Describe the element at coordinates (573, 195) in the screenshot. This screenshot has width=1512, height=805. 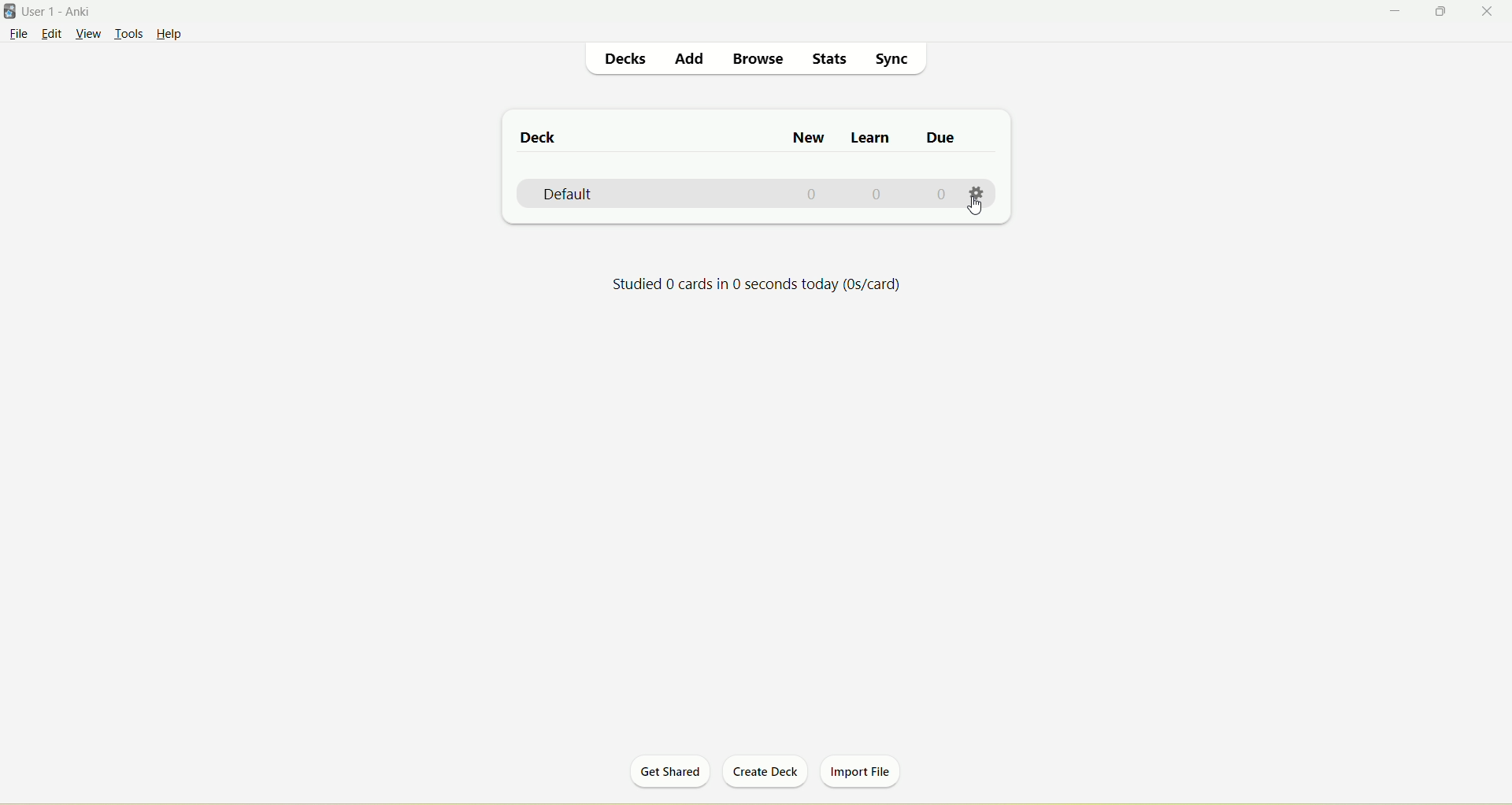
I see `default` at that location.